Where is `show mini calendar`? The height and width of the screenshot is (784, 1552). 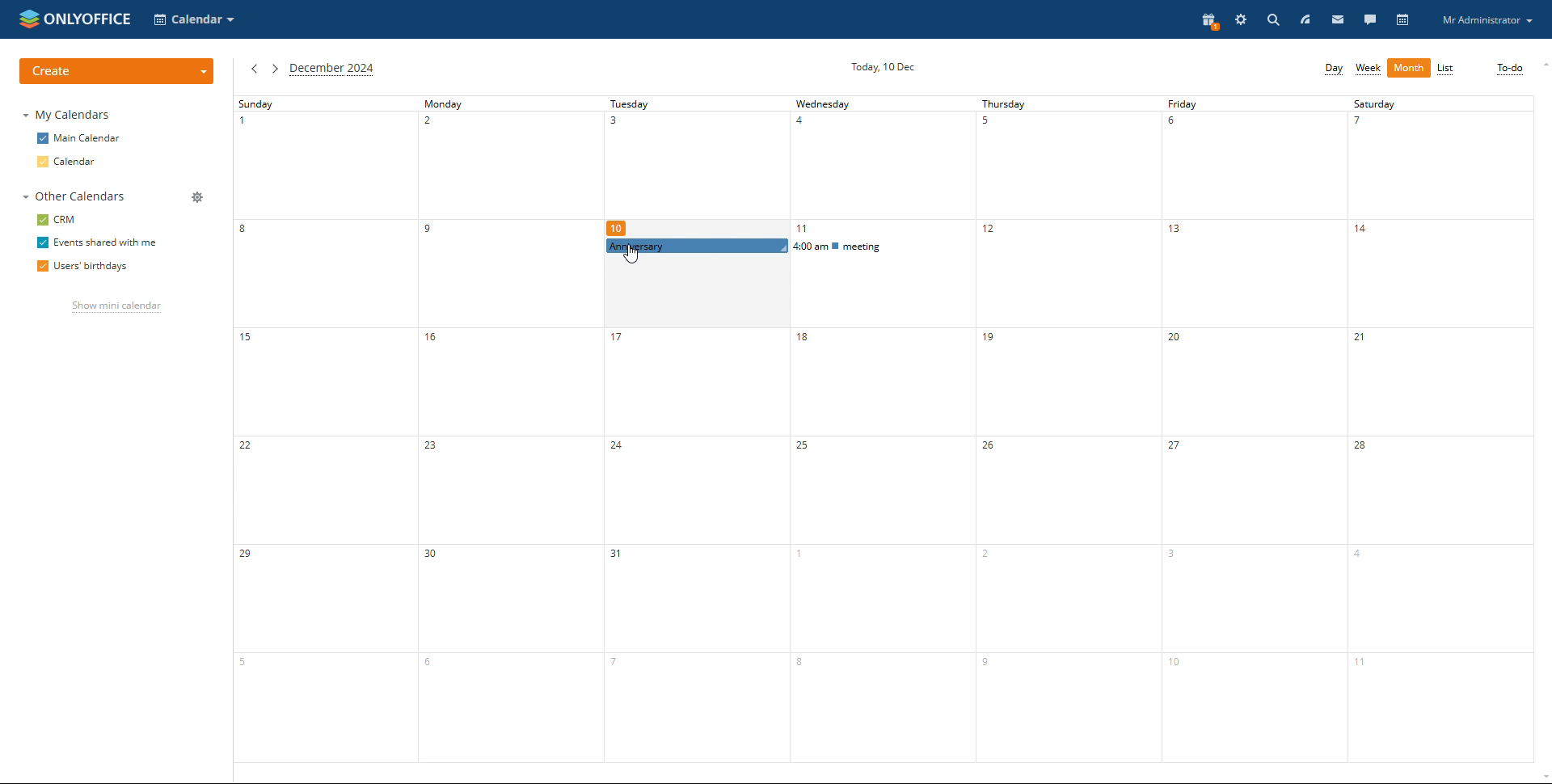 show mini calendar is located at coordinates (115, 307).